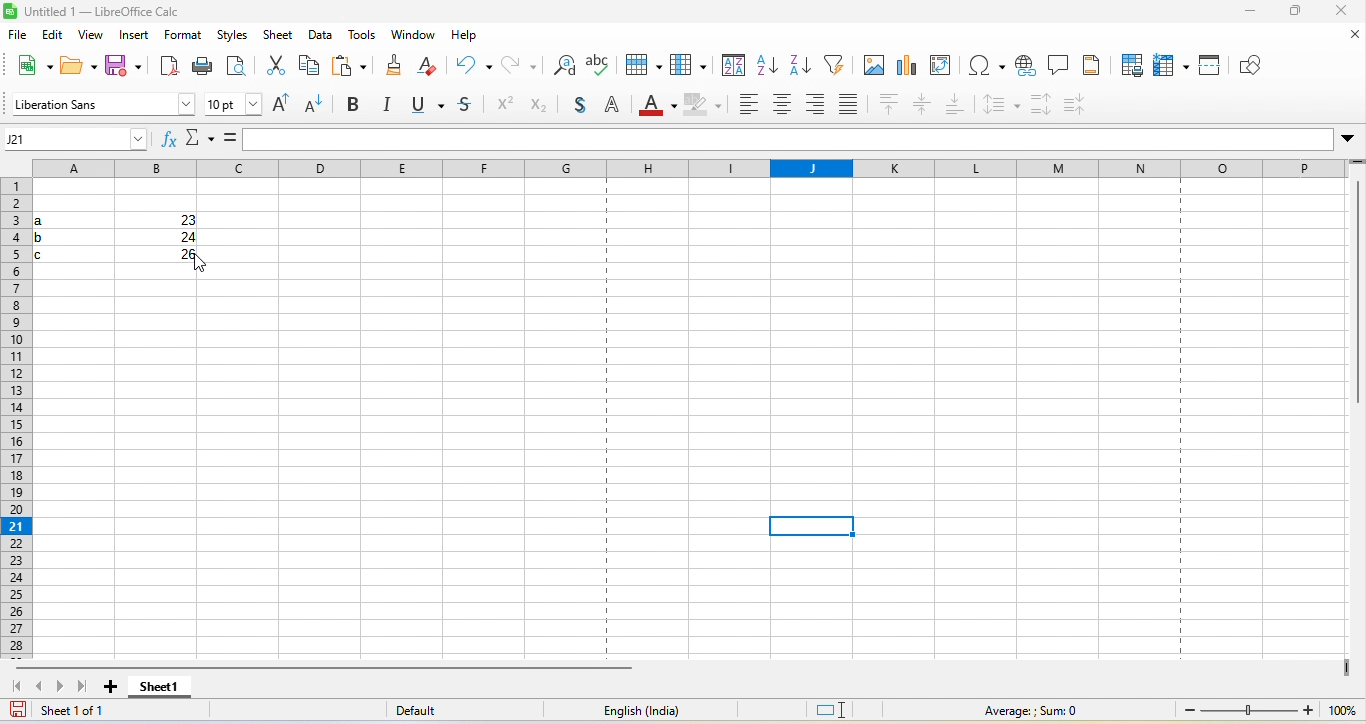 The height and width of the screenshot is (724, 1366). I want to click on vertical scroll bar, so click(1357, 298).